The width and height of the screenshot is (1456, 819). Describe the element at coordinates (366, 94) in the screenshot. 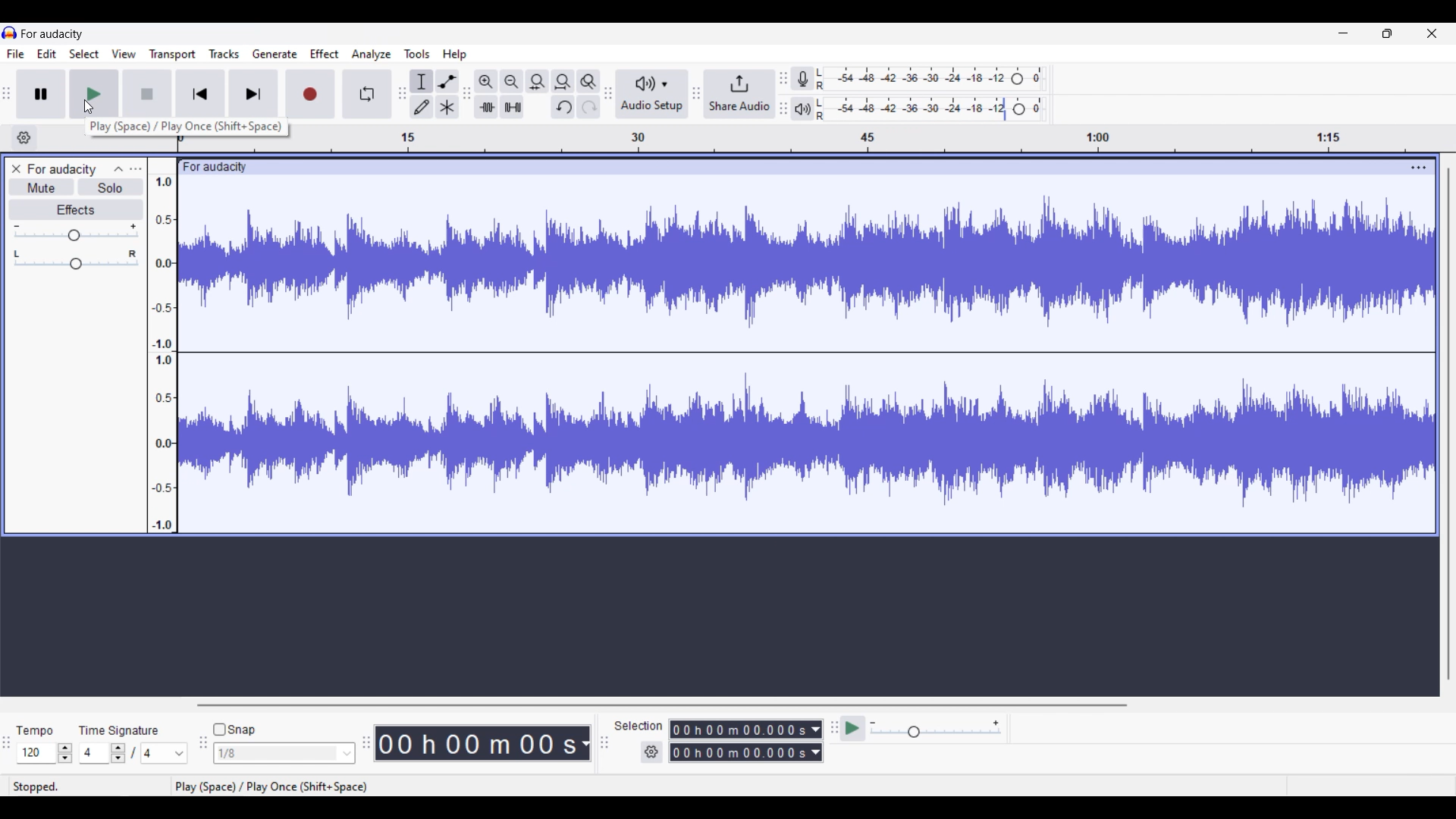

I see `Enable looping` at that location.